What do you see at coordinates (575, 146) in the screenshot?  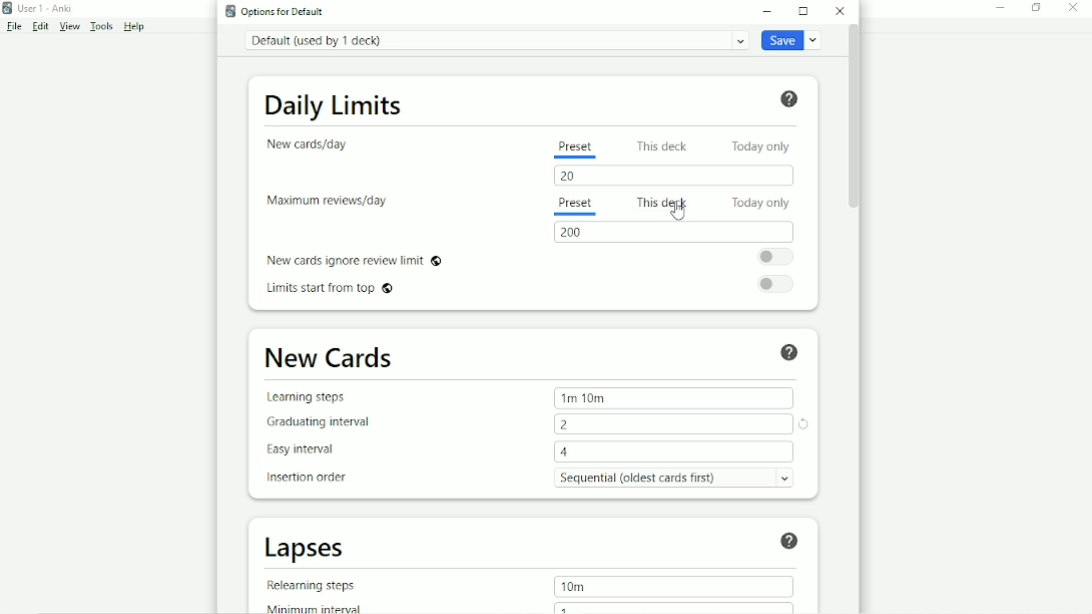 I see `Preset` at bounding box center [575, 146].